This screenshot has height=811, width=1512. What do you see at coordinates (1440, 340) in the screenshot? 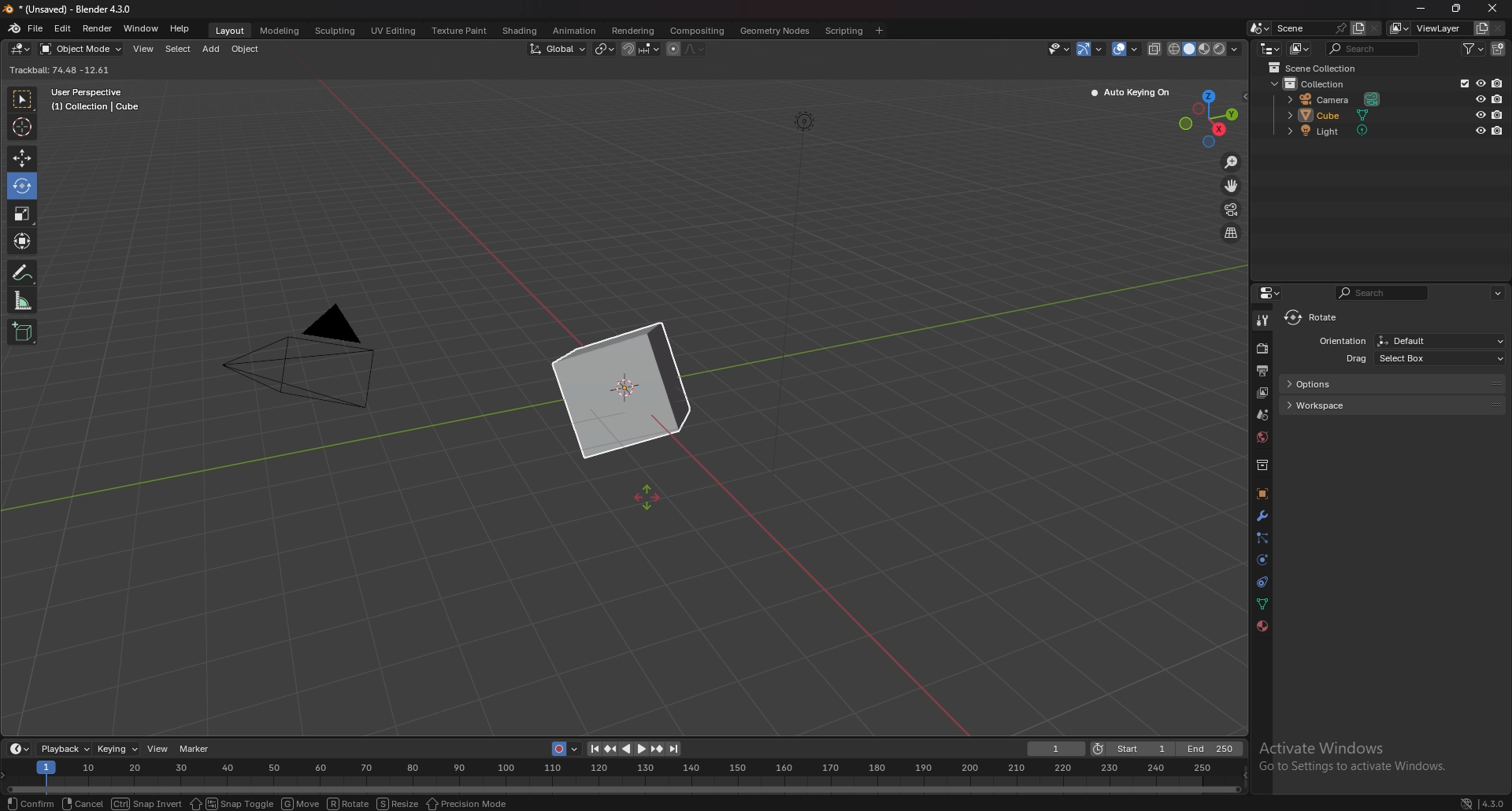
I see `Defalut` at bounding box center [1440, 340].